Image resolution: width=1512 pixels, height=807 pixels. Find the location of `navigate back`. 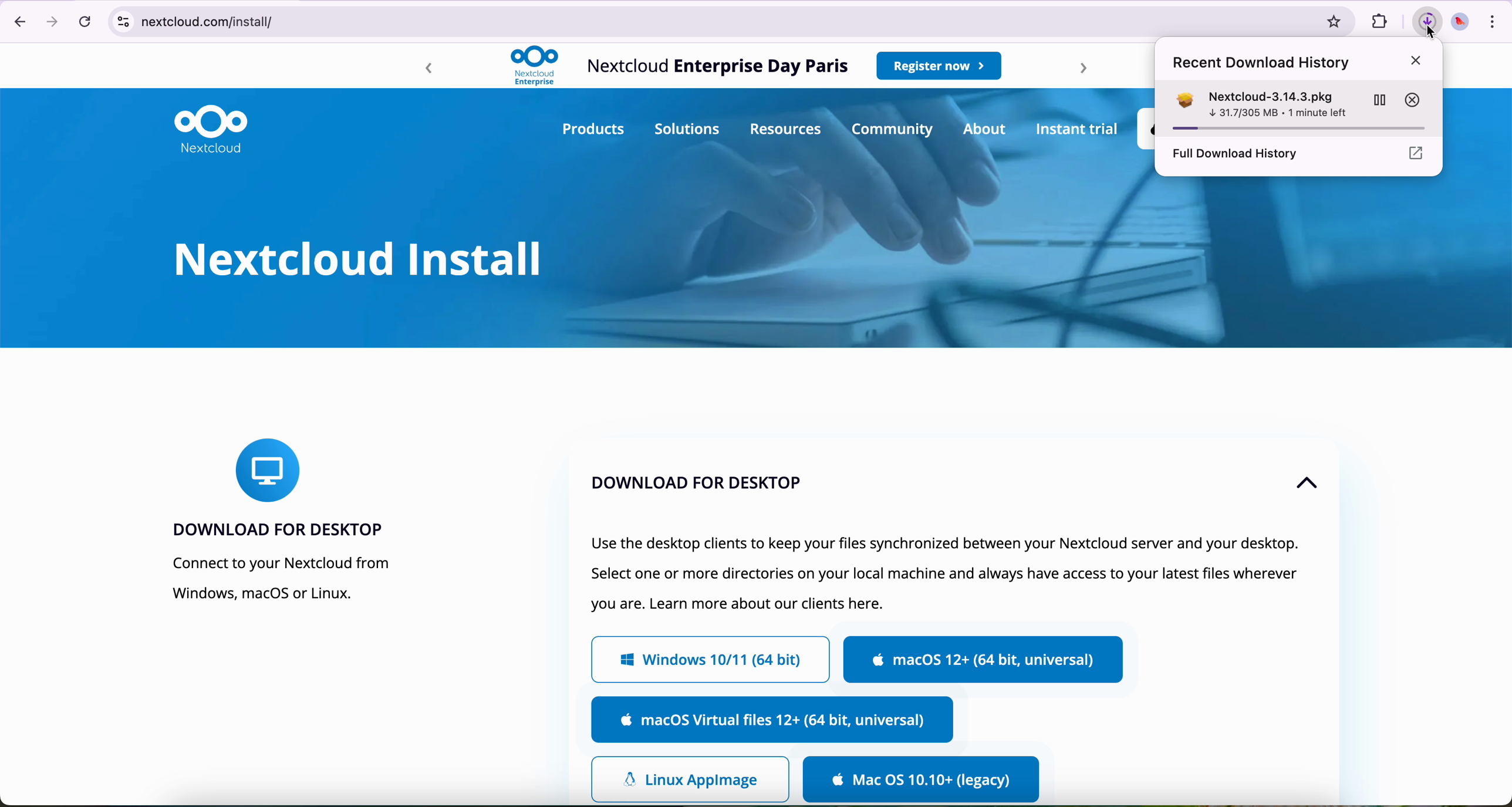

navigate back is located at coordinates (18, 21).